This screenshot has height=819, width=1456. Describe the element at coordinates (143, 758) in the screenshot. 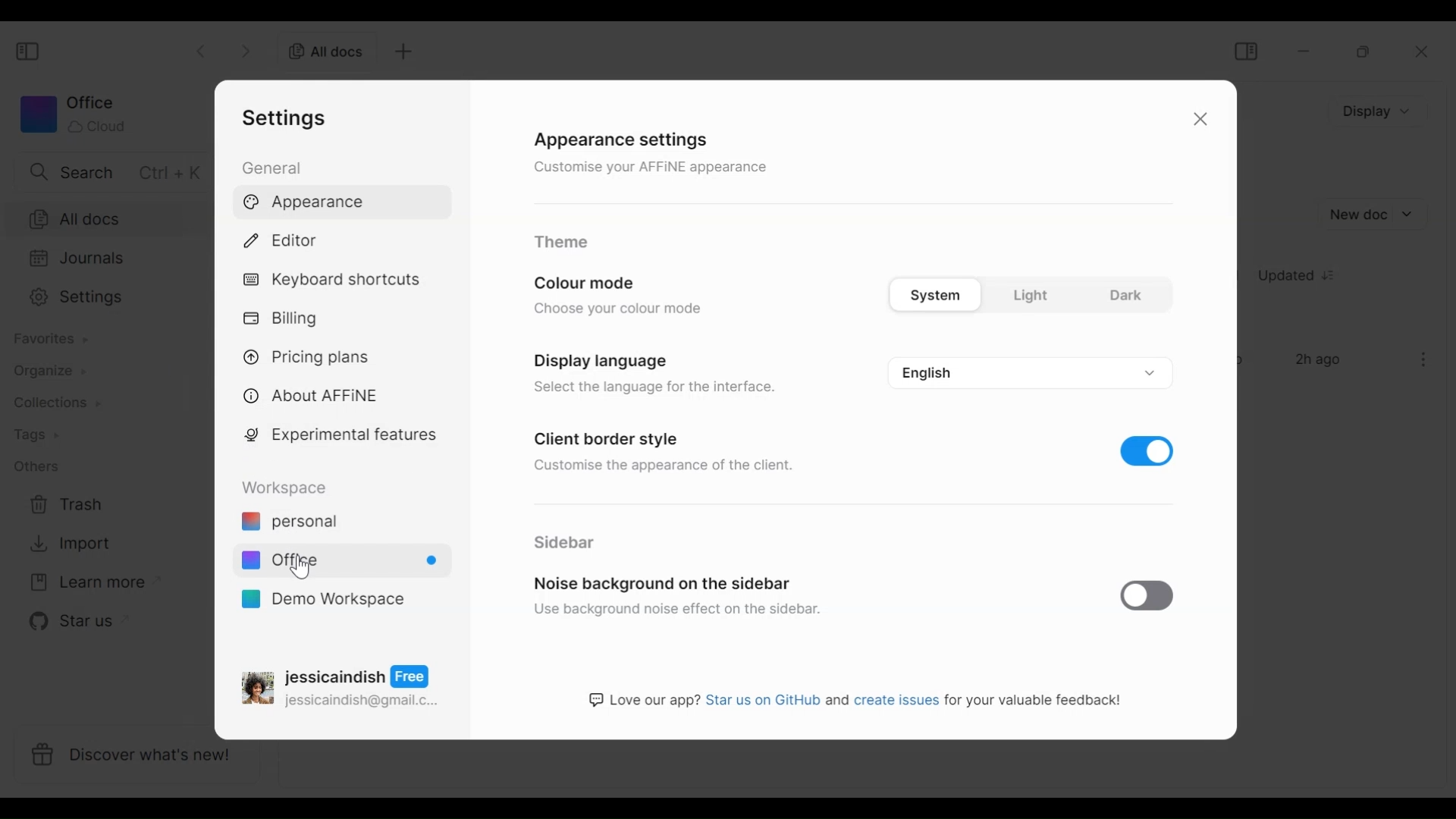

I see `Discover what's new` at that location.